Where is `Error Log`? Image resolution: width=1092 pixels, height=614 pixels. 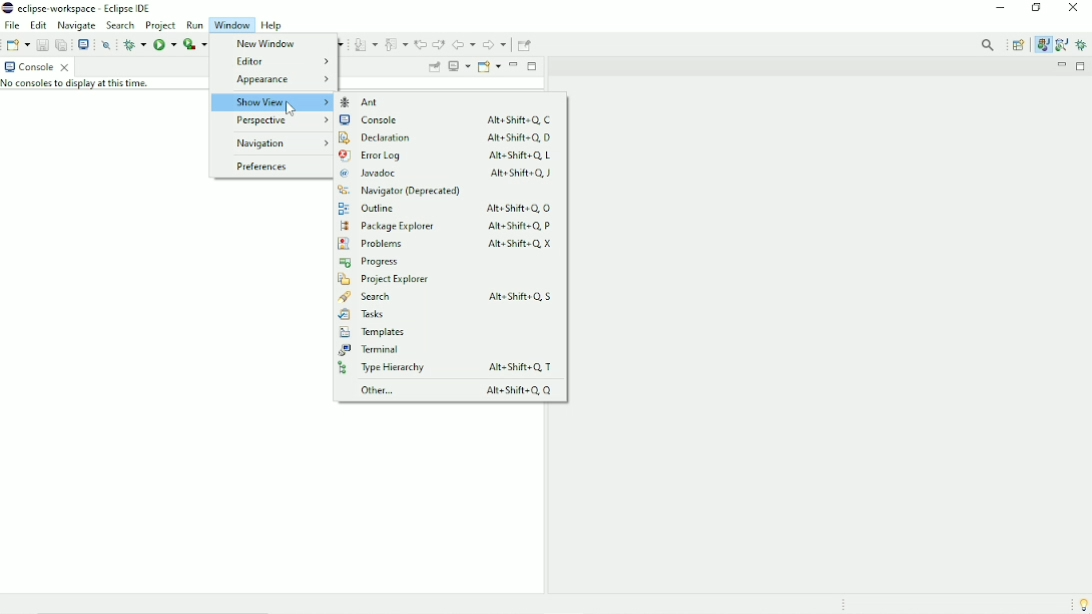
Error Log is located at coordinates (445, 156).